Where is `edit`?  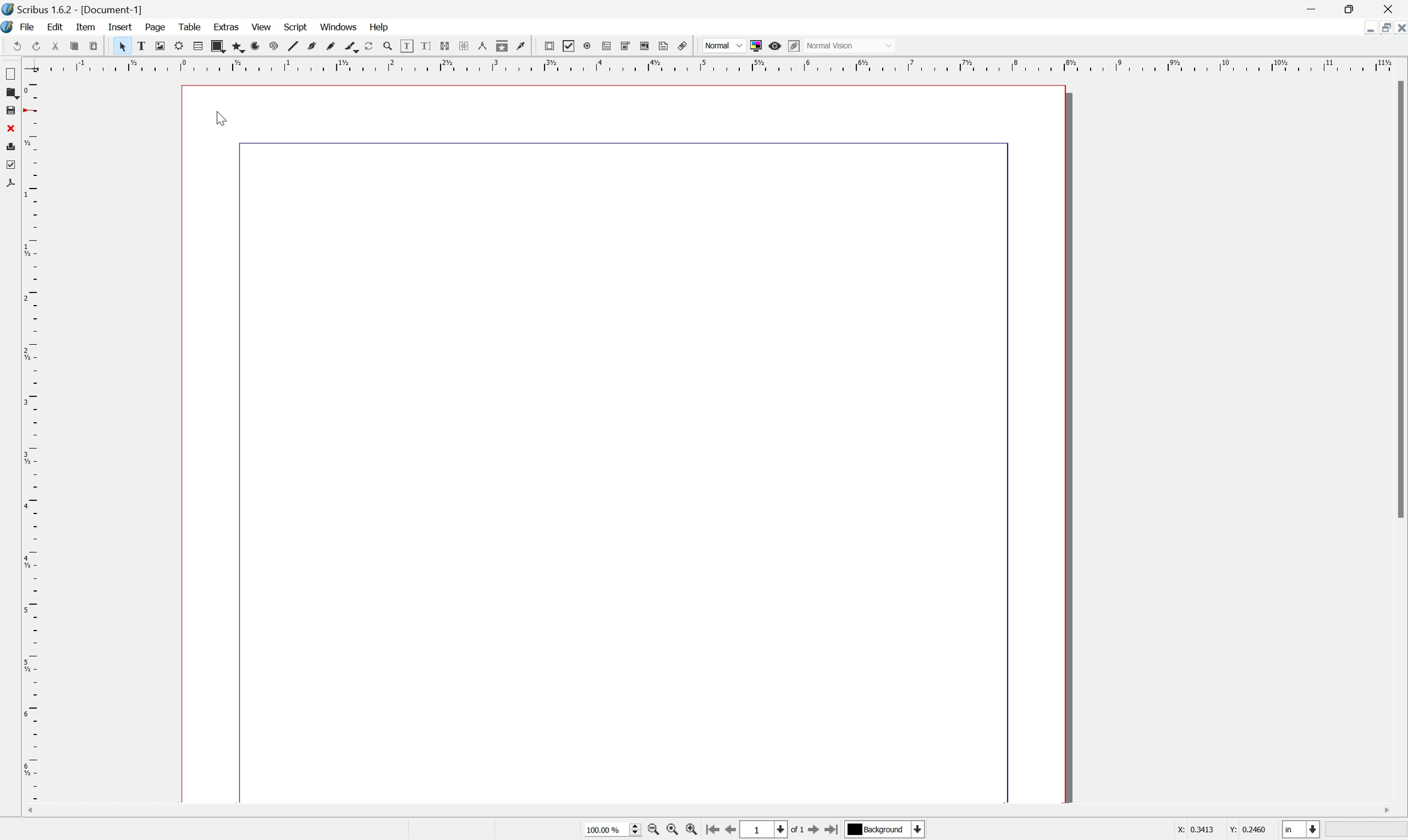 edit is located at coordinates (55, 26).